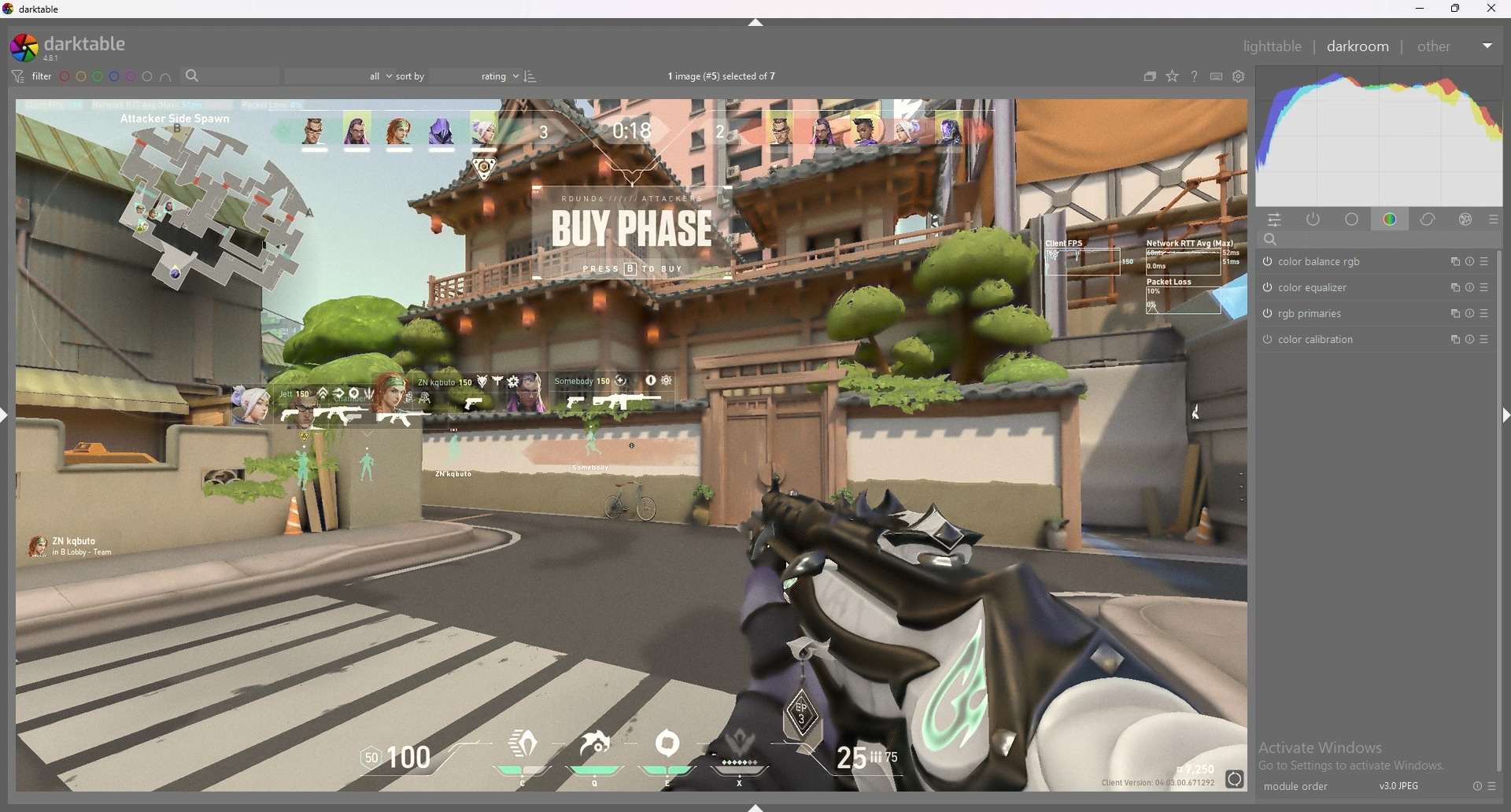 The height and width of the screenshot is (812, 1511). I want to click on images selected, so click(725, 76).